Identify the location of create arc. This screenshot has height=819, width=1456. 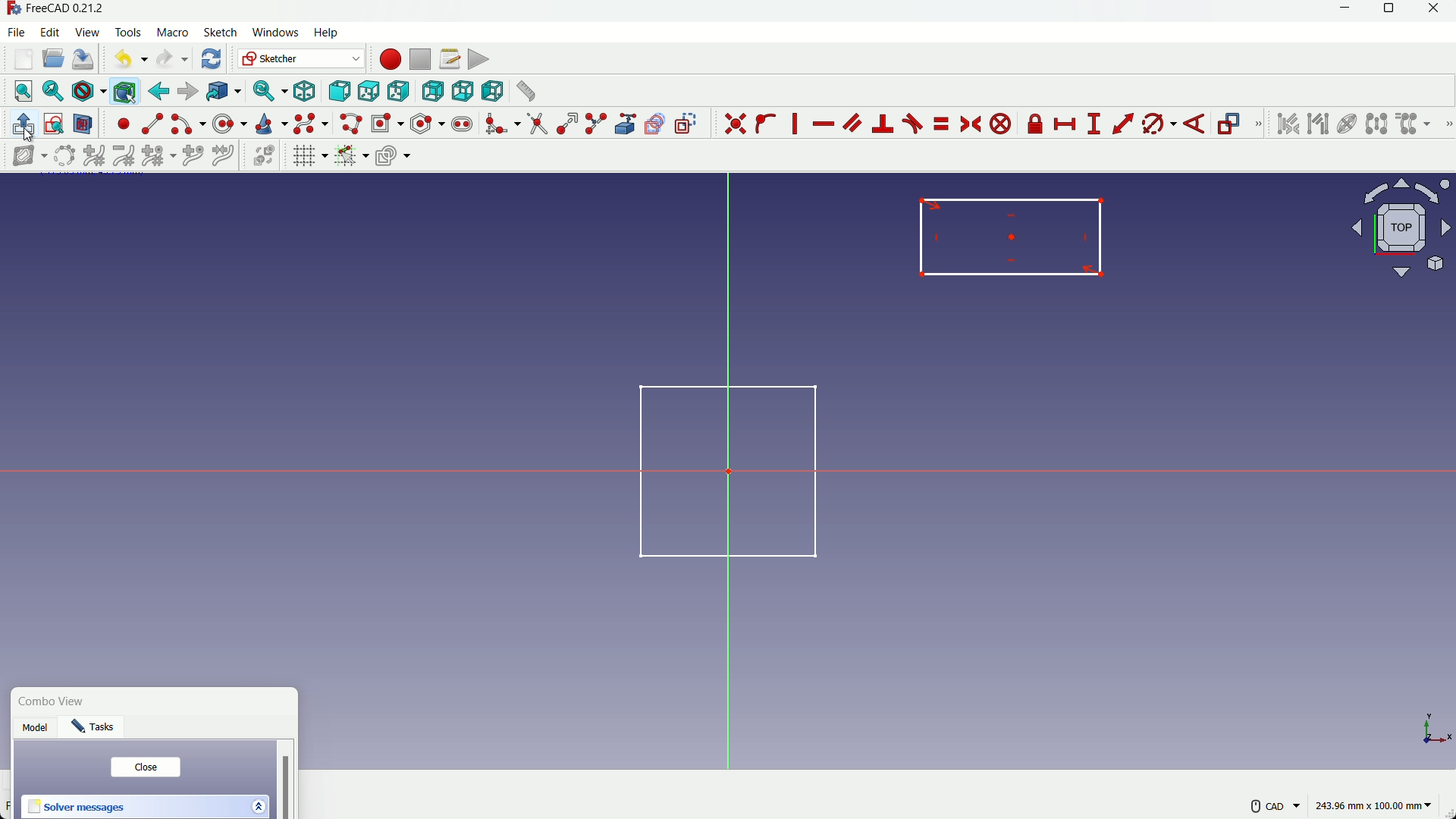
(188, 124).